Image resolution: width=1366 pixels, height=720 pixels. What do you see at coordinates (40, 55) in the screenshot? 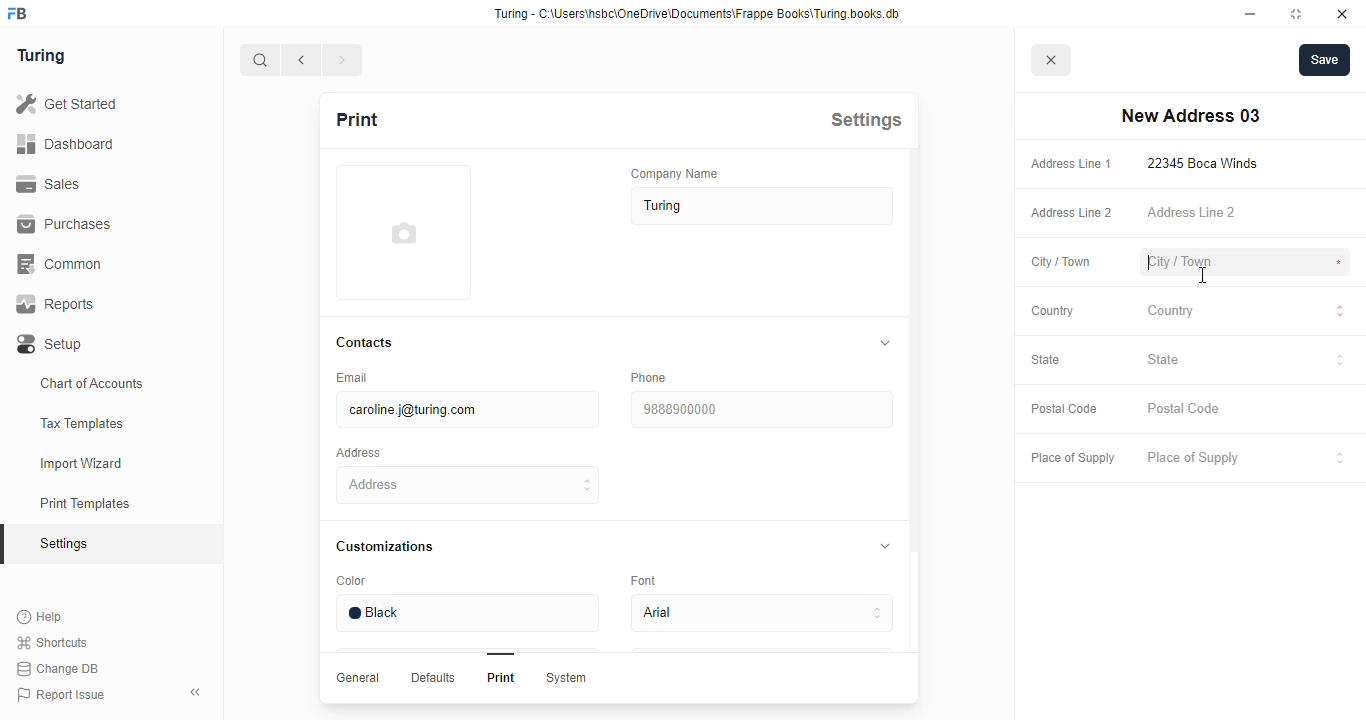
I see `turing` at bounding box center [40, 55].